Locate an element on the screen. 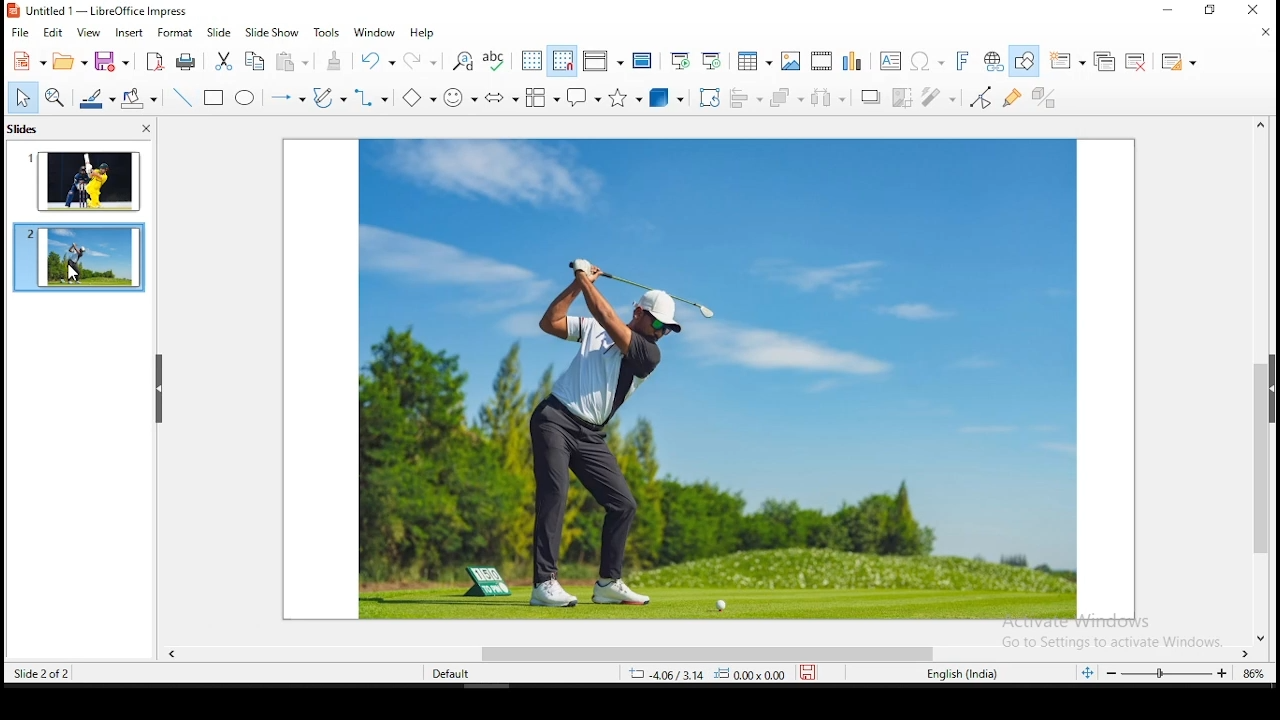  Shadow is located at coordinates (866, 98).